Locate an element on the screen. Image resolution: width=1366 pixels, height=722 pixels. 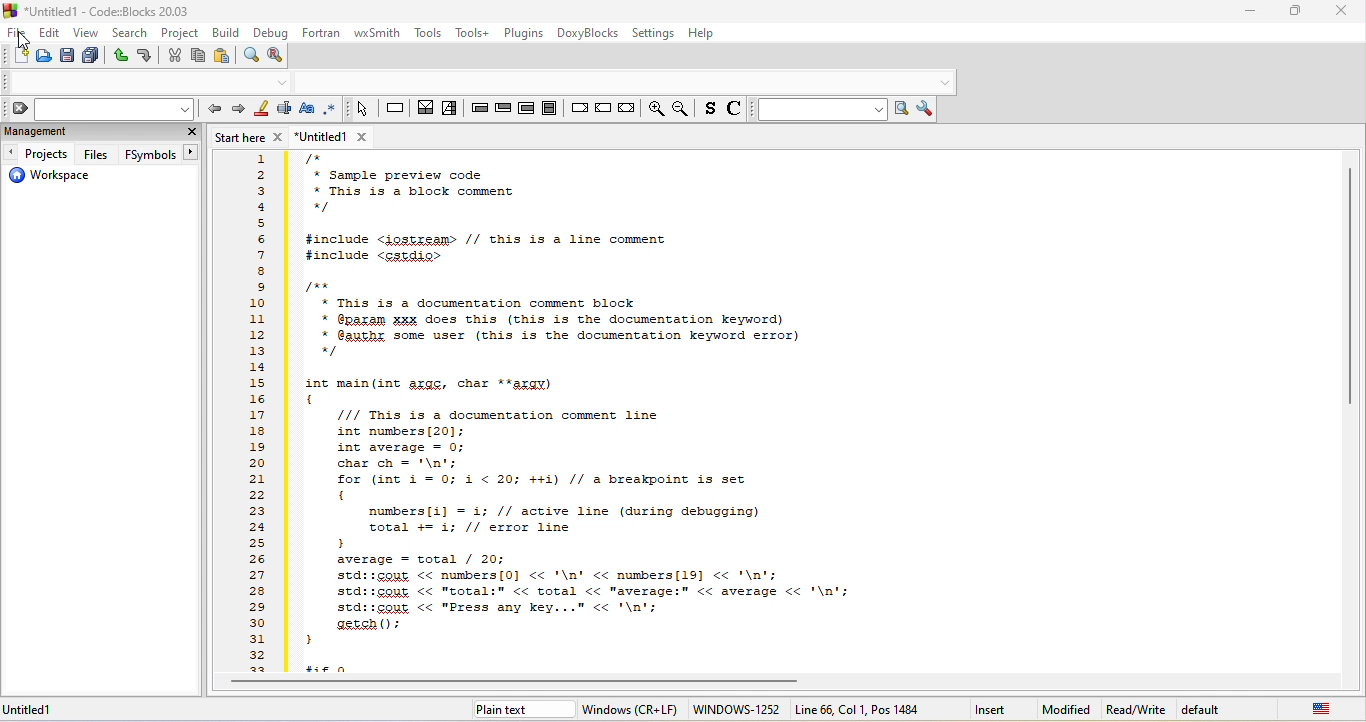
workspace is located at coordinates (59, 176).